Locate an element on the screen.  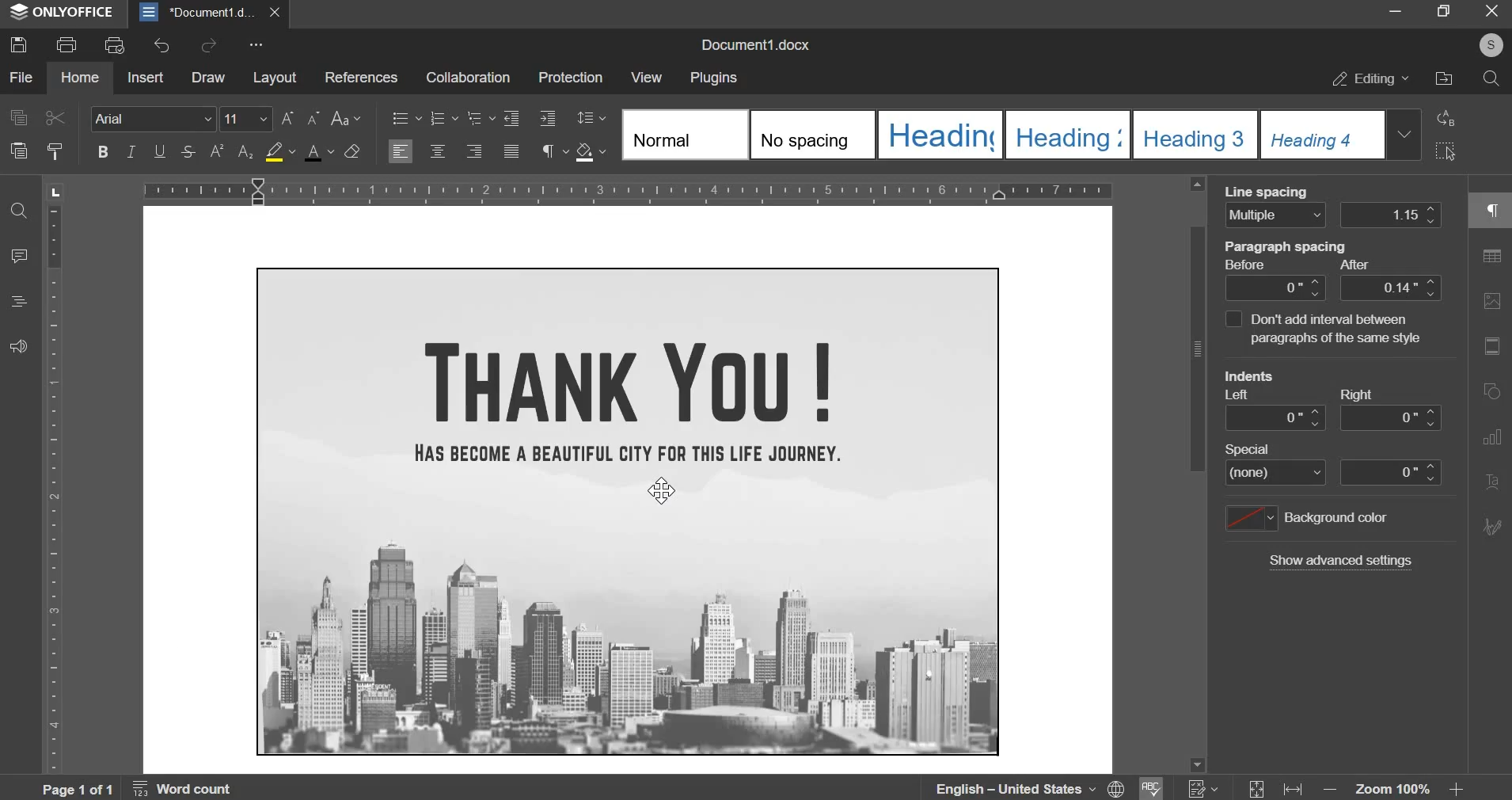
plugins is located at coordinates (713, 78).